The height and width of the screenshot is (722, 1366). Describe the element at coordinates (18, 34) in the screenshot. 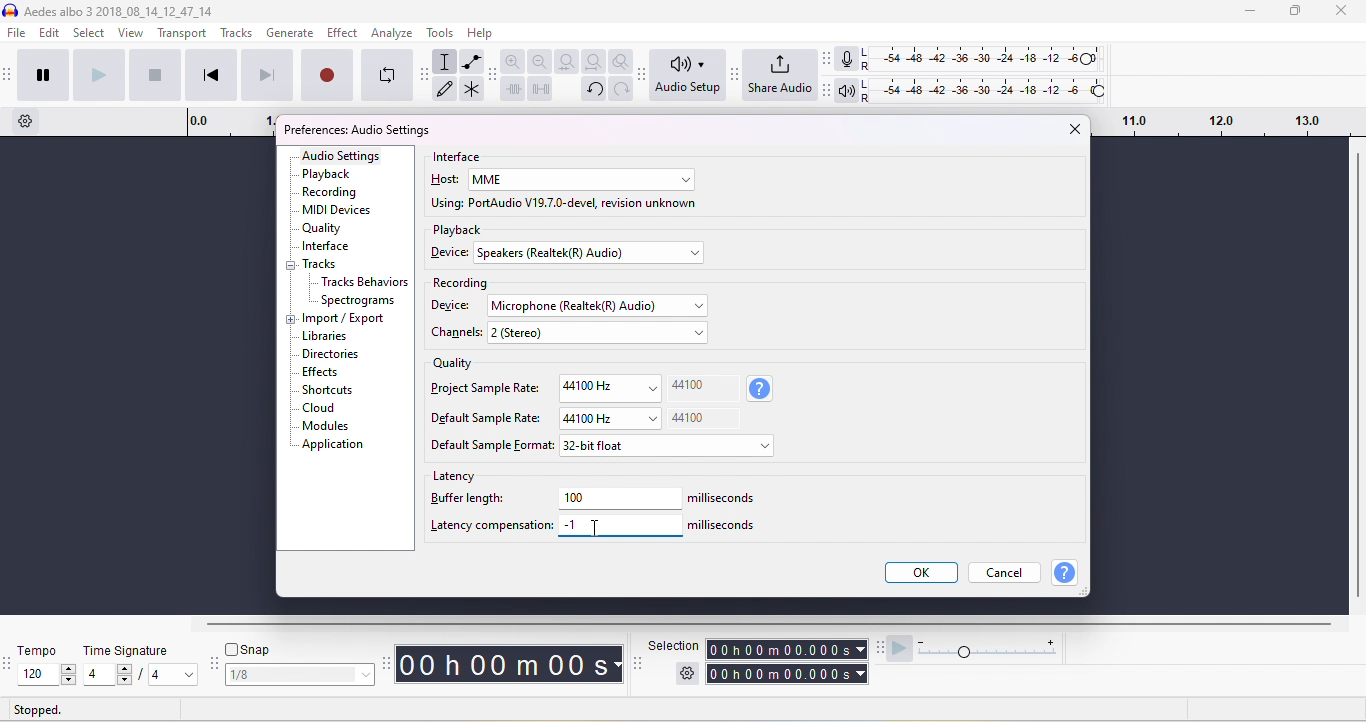

I see `file` at that location.